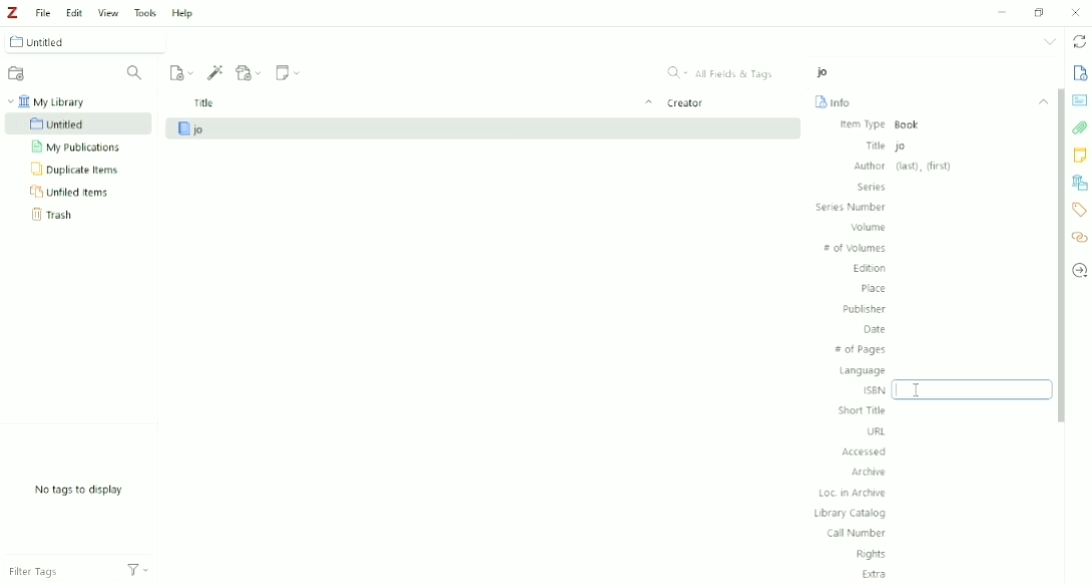 The height and width of the screenshot is (584, 1092). What do you see at coordinates (871, 187) in the screenshot?
I see `Series` at bounding box center [871, 187].